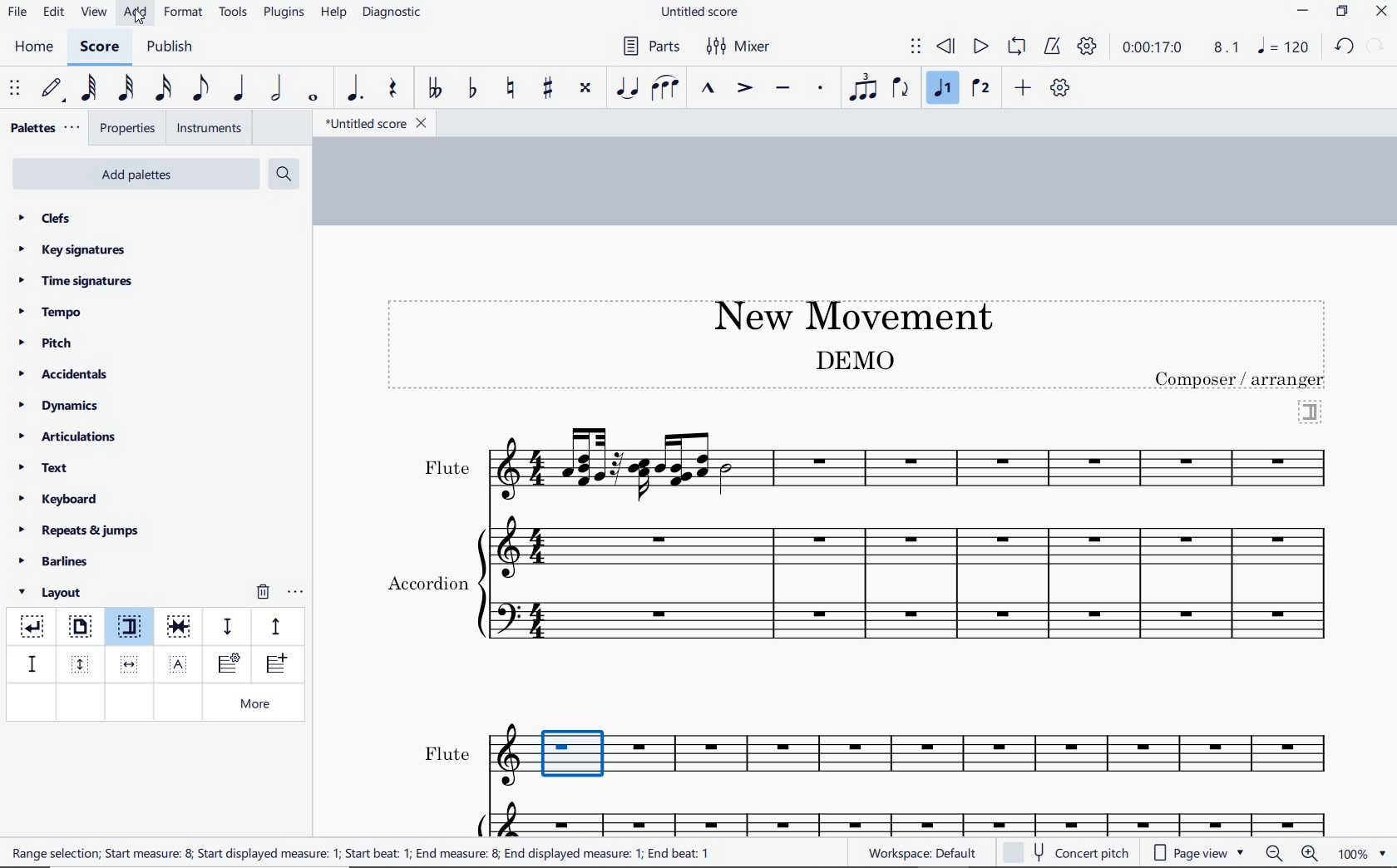 This screenshot has width=1397, height=868. Describe the element at coordinates (1285, 47) in the screenshot. I see `NOTE` at that location.